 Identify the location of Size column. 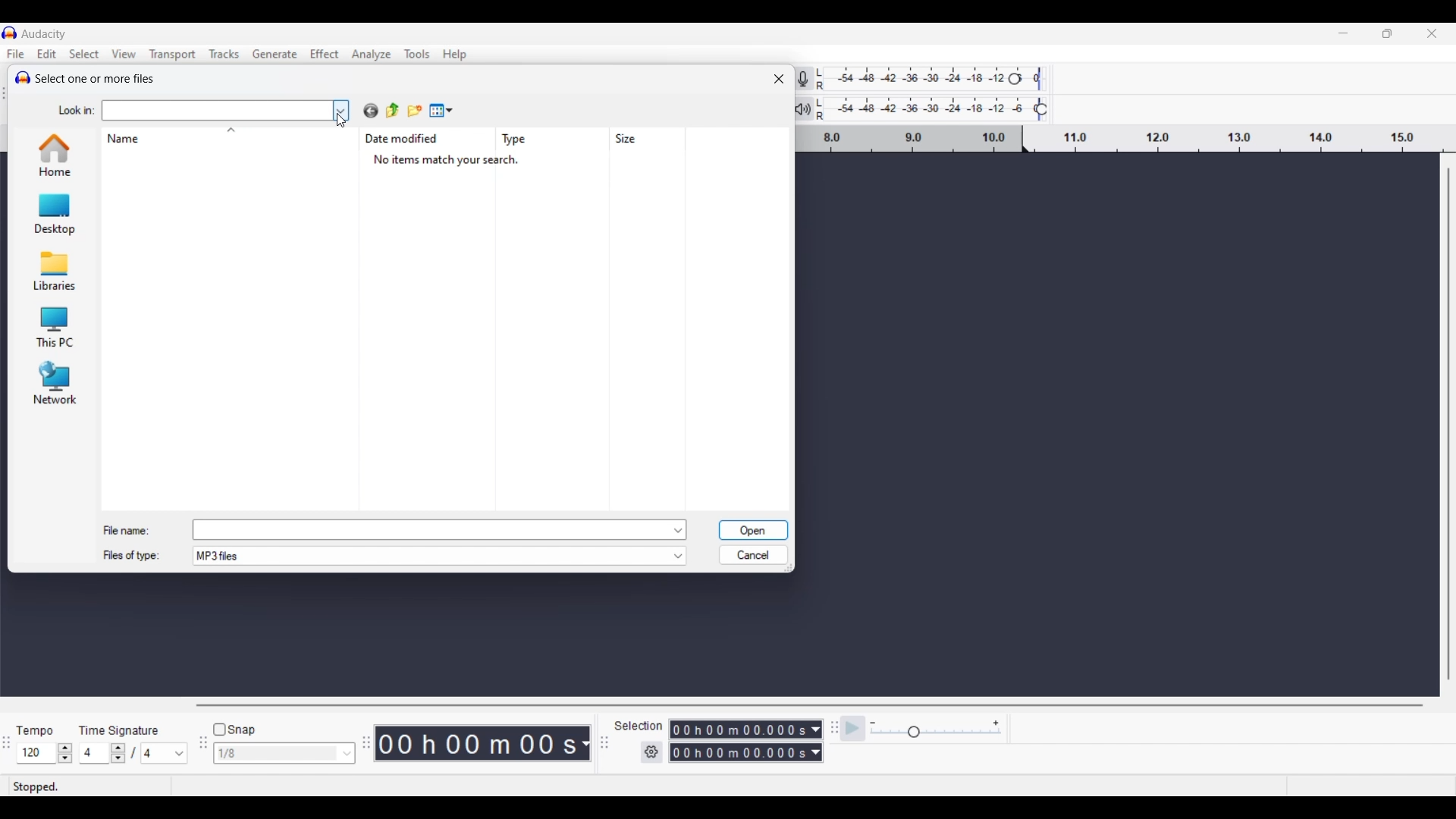
(631, 139).